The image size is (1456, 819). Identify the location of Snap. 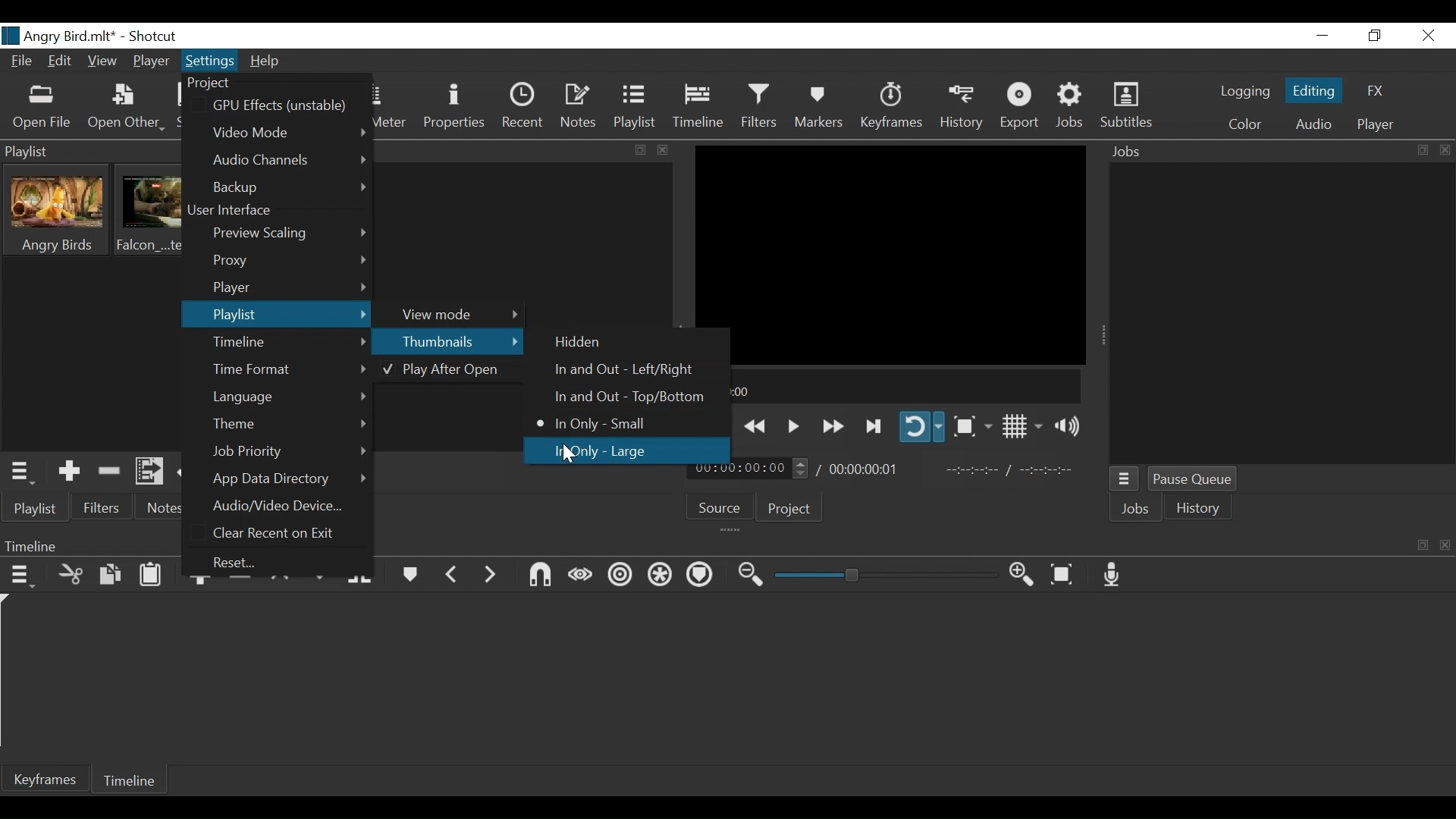
(541, 576).